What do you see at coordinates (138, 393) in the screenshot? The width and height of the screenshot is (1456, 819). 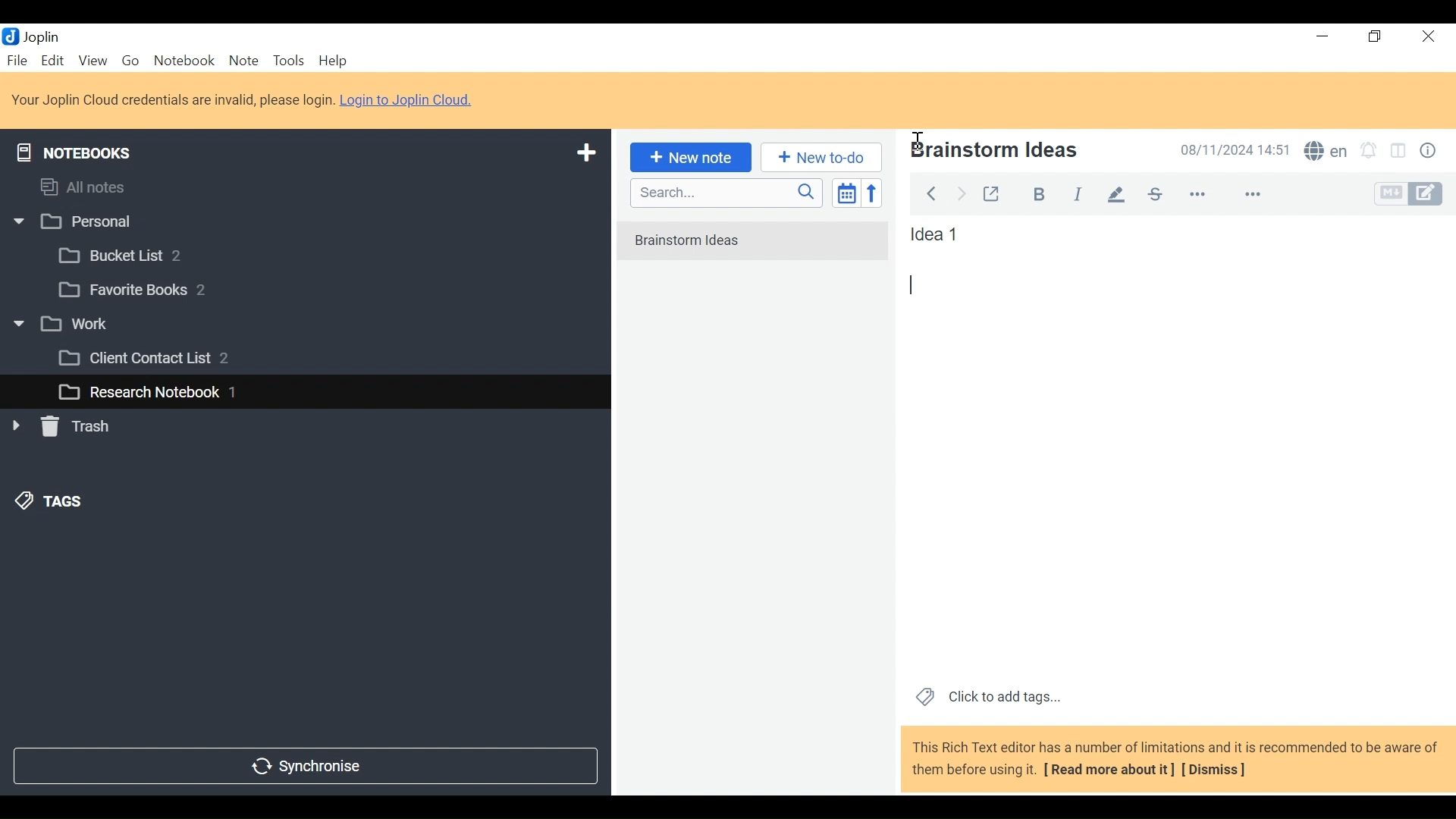 I see `L_] Research Notebook` at bounding box center [138, 393].